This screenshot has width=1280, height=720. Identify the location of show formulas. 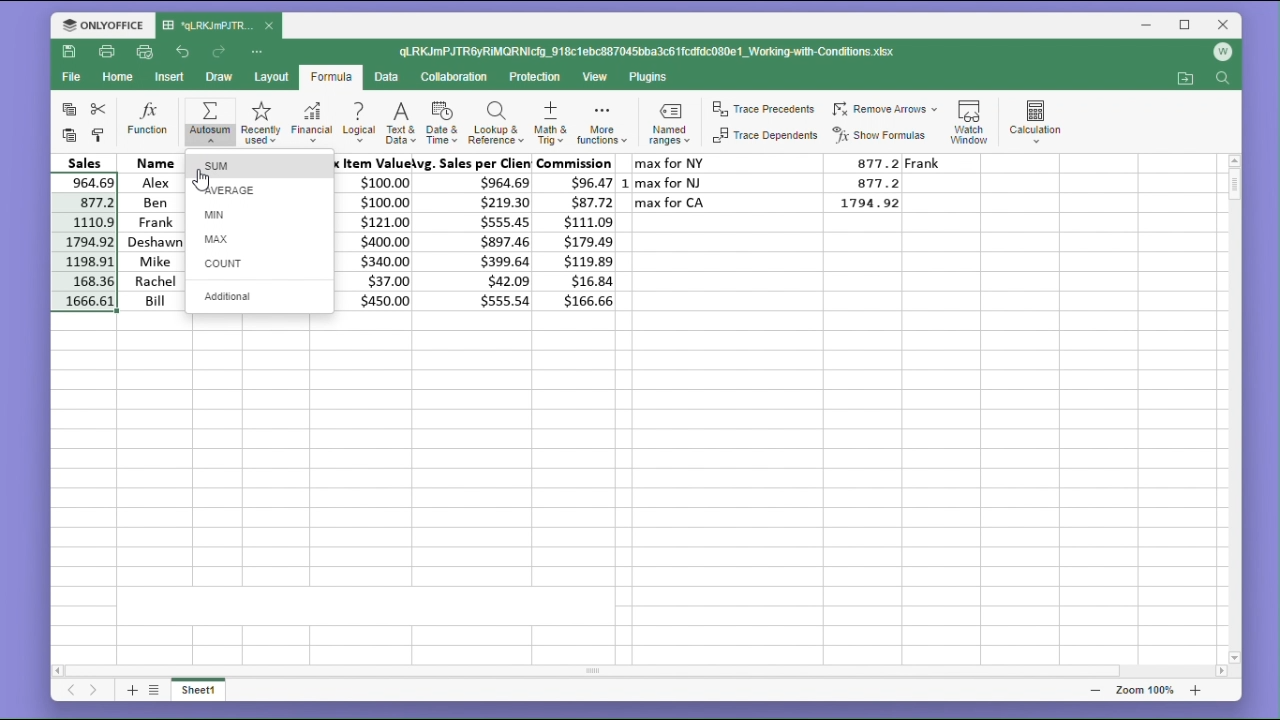
(884, 135).